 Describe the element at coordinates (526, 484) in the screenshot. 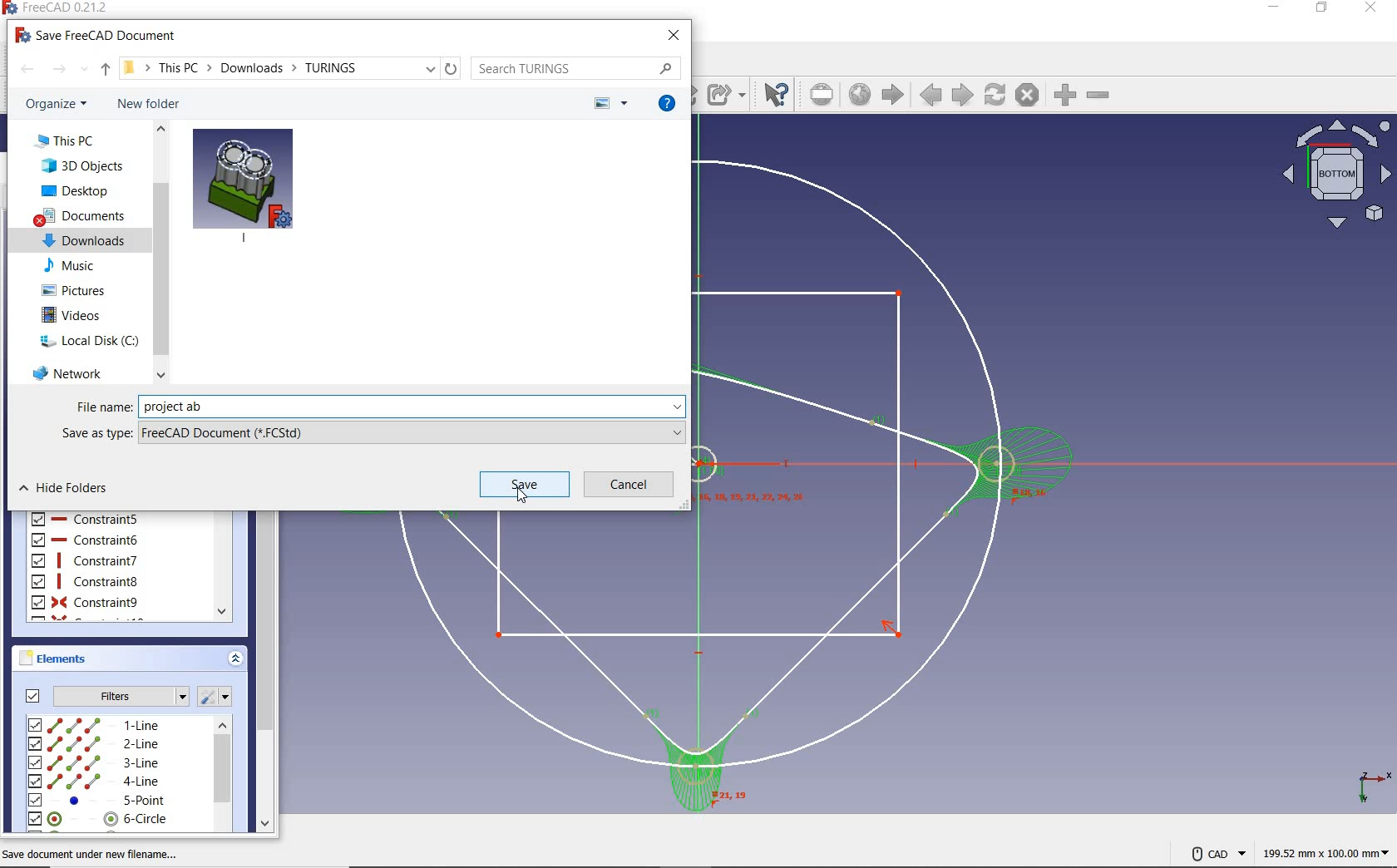

I see `save` at that location.